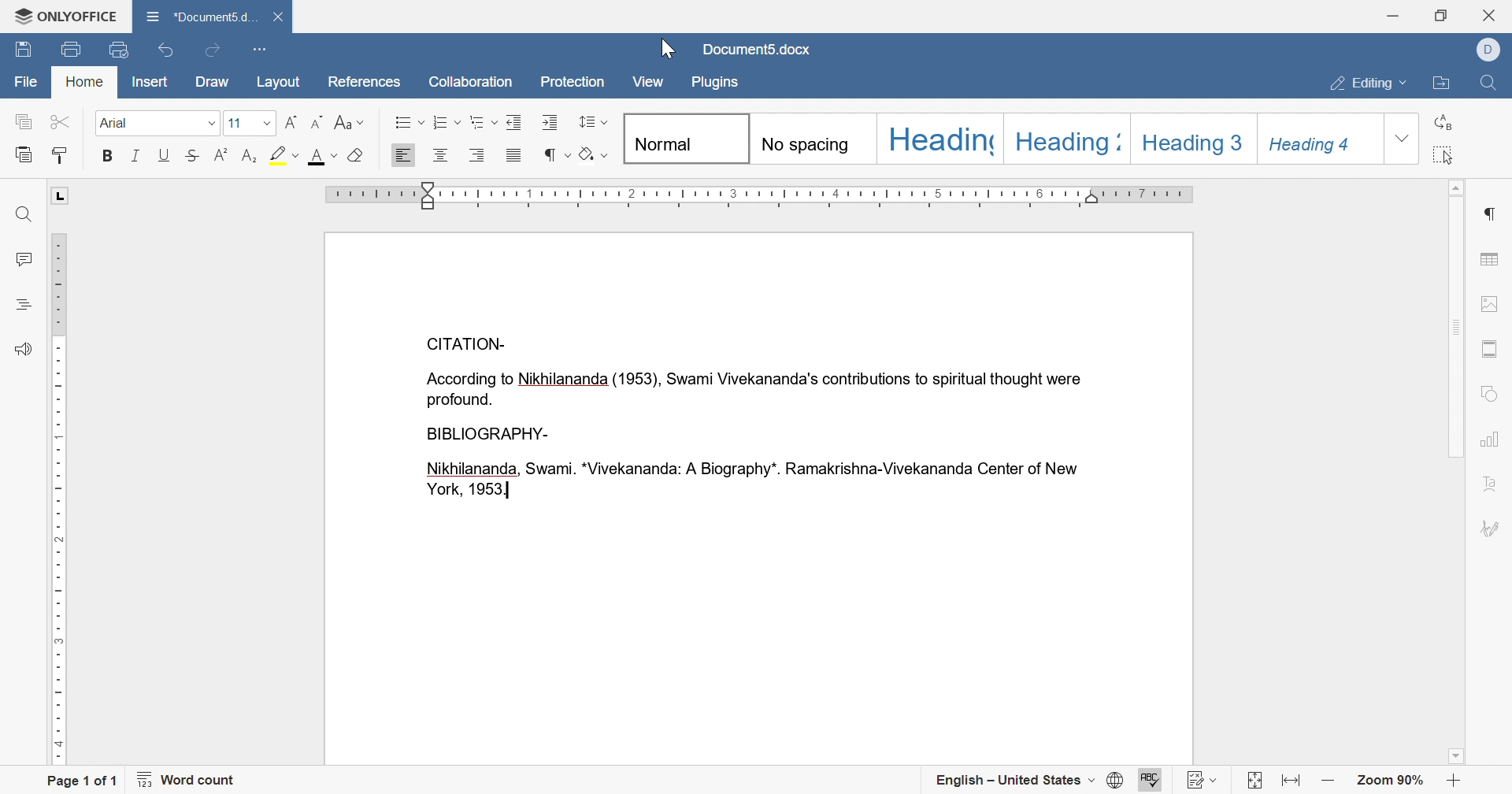  What do you see at coordinates (1068, 139) in the screenshot?
I see `Heading` at bounding box center [1068, 139].